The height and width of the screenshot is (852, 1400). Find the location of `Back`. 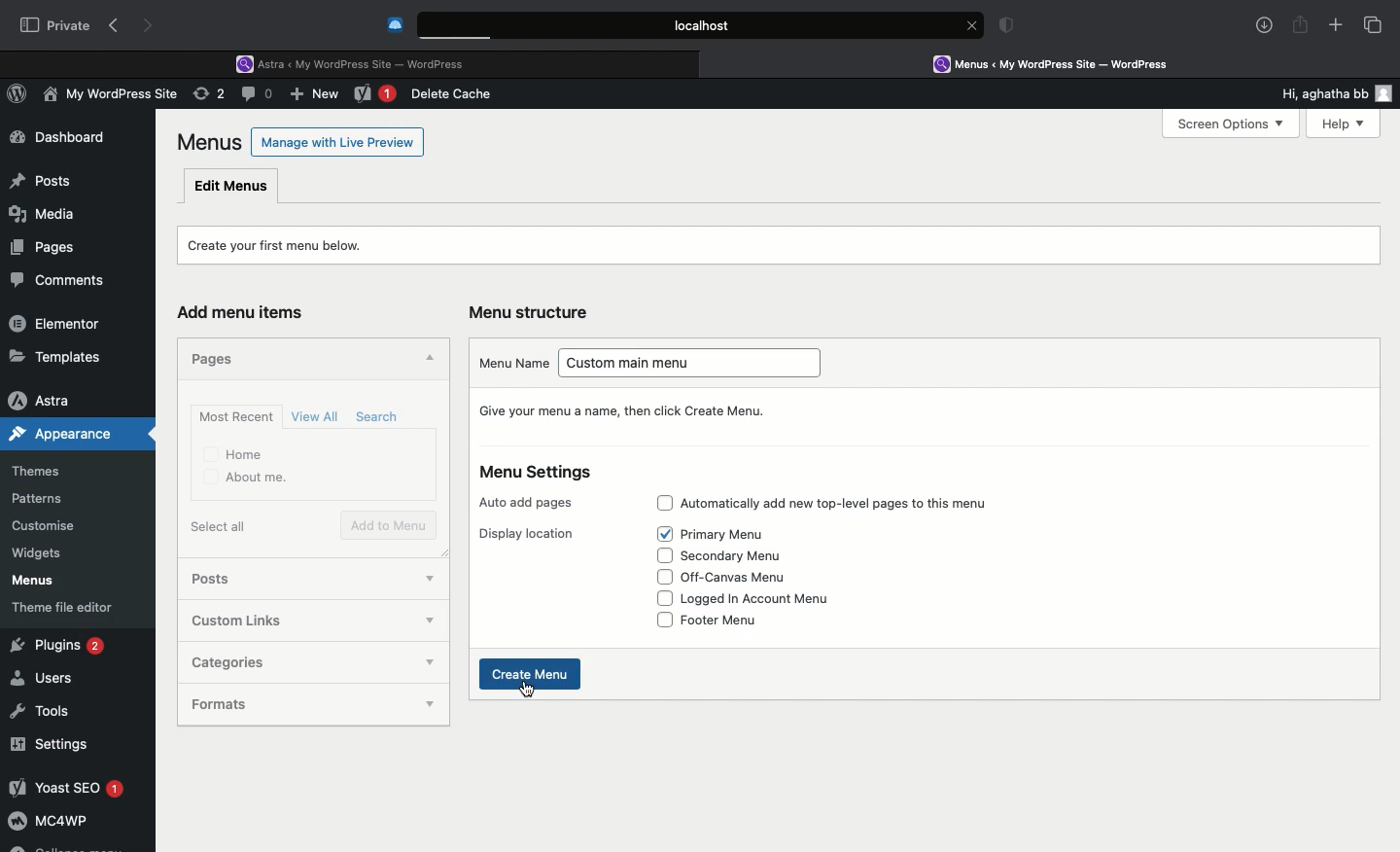

Back is located at coordinates (118, 26).